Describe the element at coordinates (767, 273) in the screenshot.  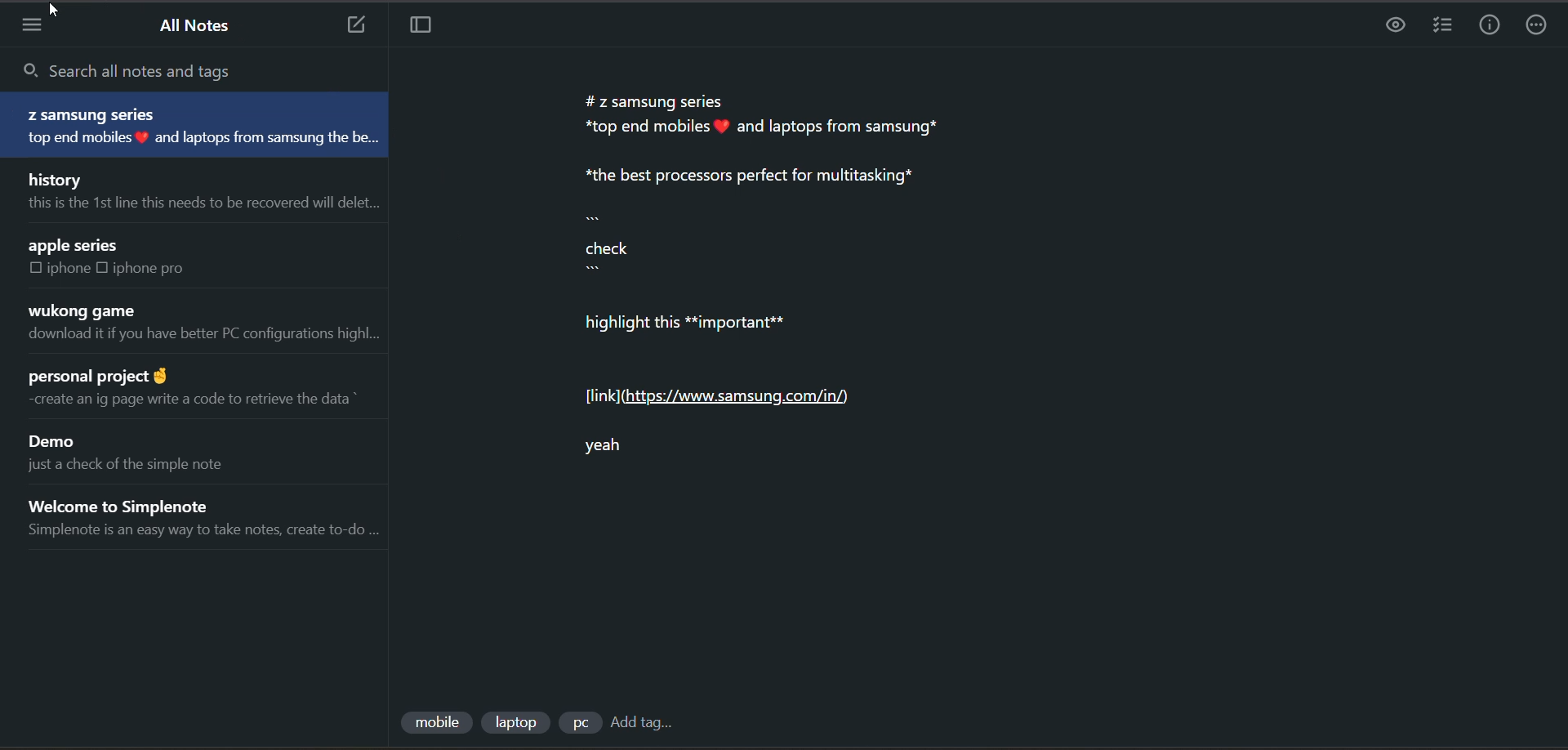
I see `# z samsung series

*top end mobiles # and laptops from samsung*
*the best processors perfect for multitasking*
check

highlight this **important**

[link] (https://www.samsung.com/in/)

yeah` at that location.